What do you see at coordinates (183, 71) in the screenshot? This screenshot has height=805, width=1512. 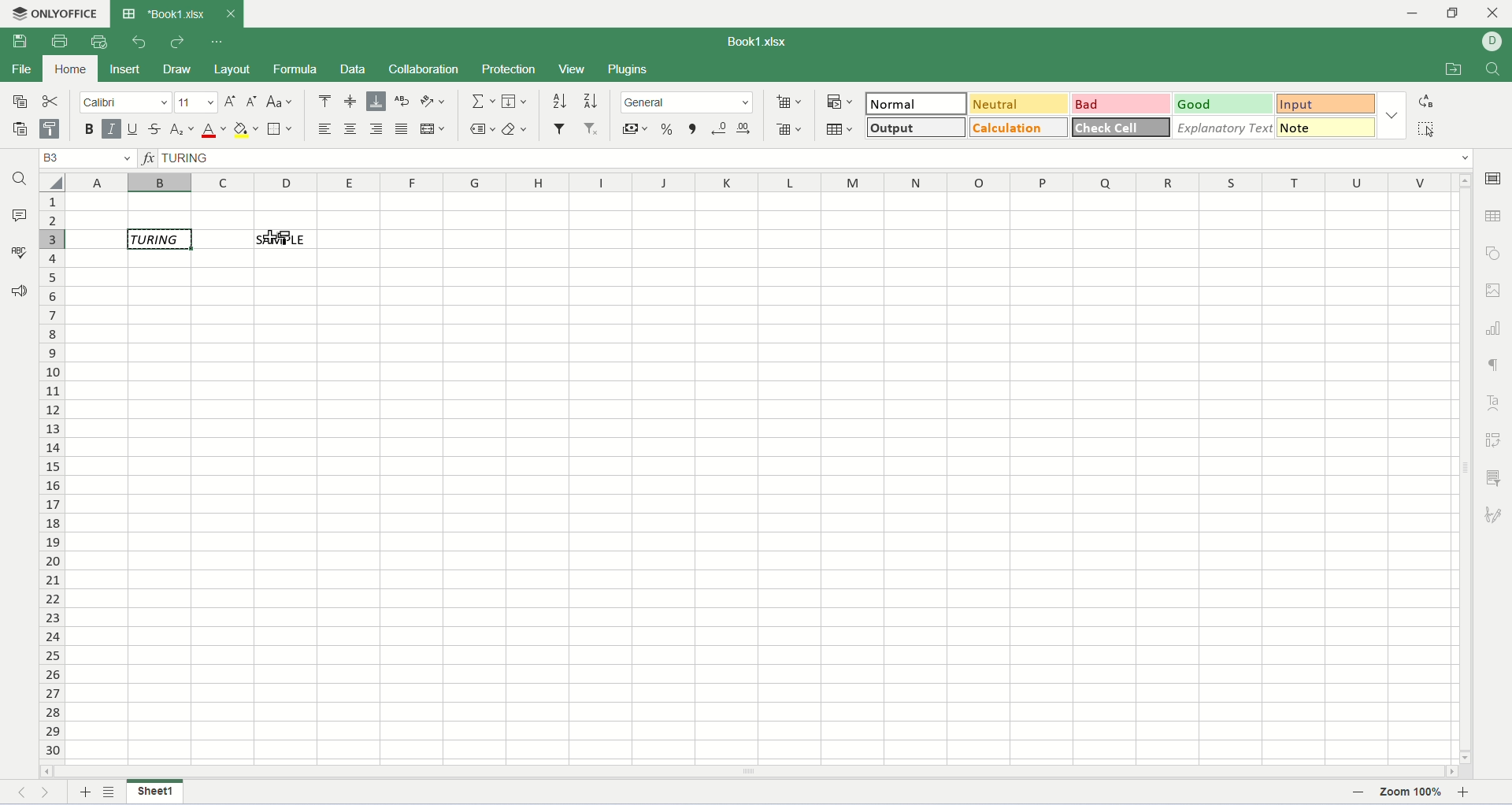 I see `draw` at bounding box center [183, 71].